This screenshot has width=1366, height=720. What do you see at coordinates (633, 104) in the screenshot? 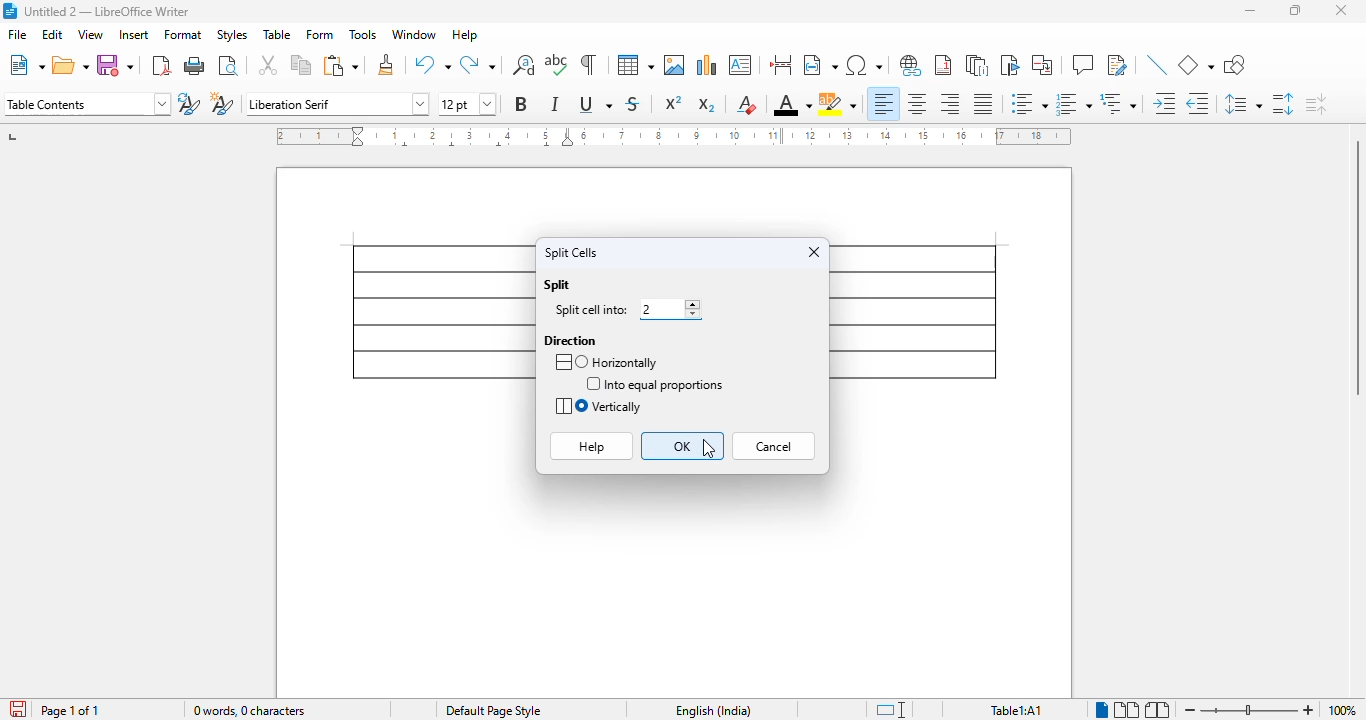
I see `strikethrough` at bounding box center [633, 104].